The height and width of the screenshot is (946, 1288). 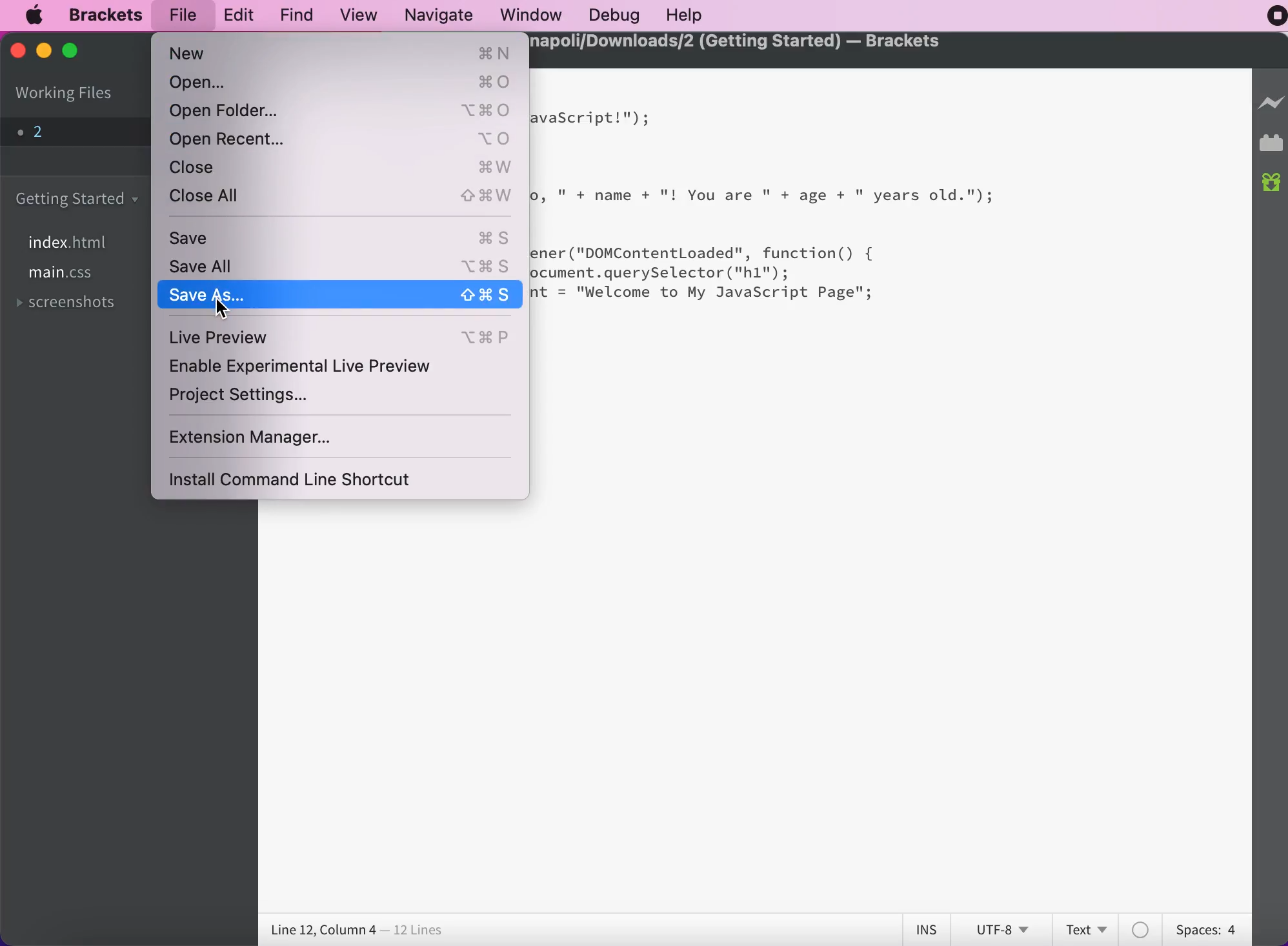 What do you see at coordinates (316, 478) in the screenshot?
I see `install command line shortcut` at bounding box center [316, 478].